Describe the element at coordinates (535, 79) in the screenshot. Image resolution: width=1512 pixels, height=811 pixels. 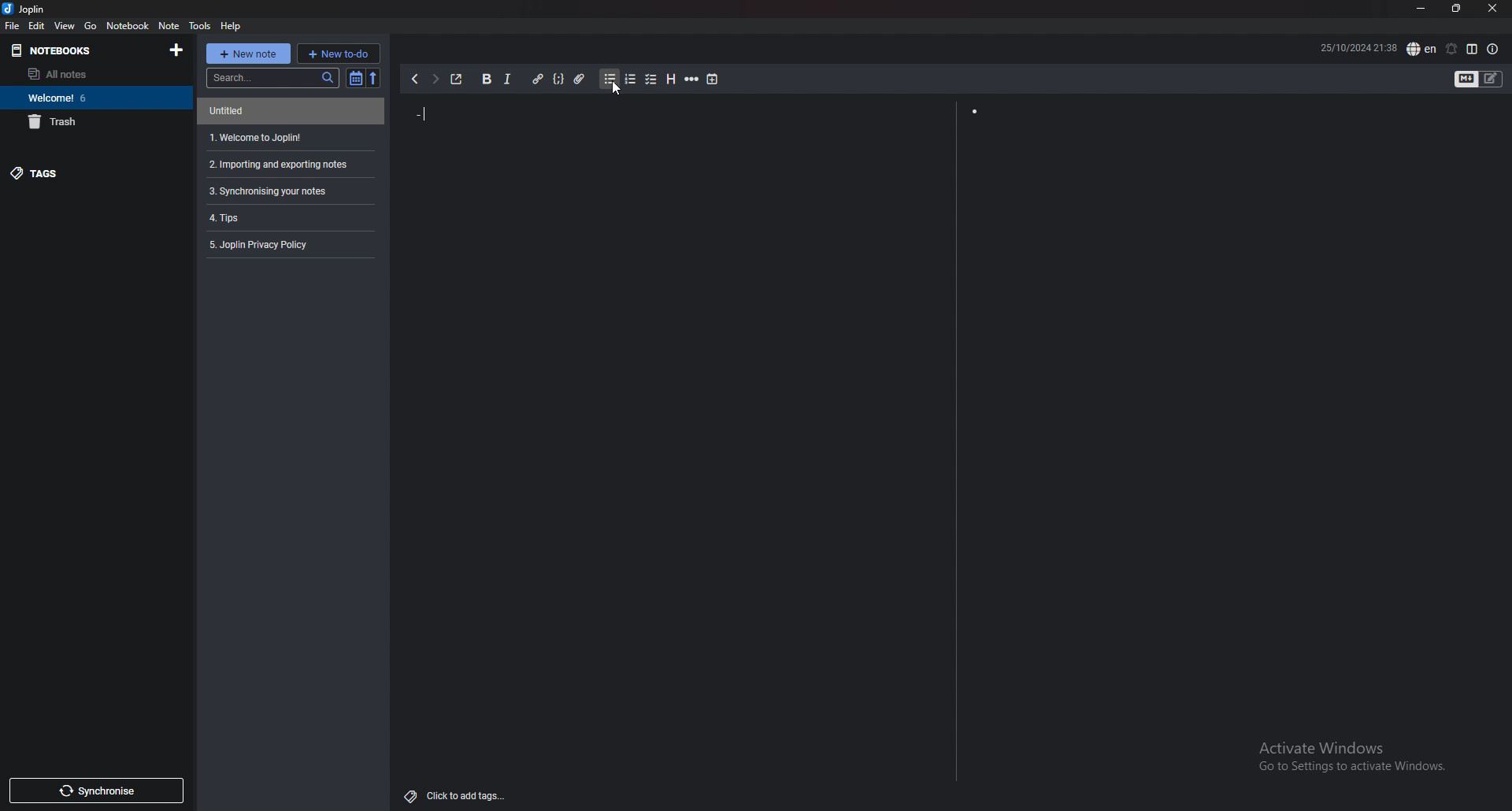
I see `hyperlink` at that location.